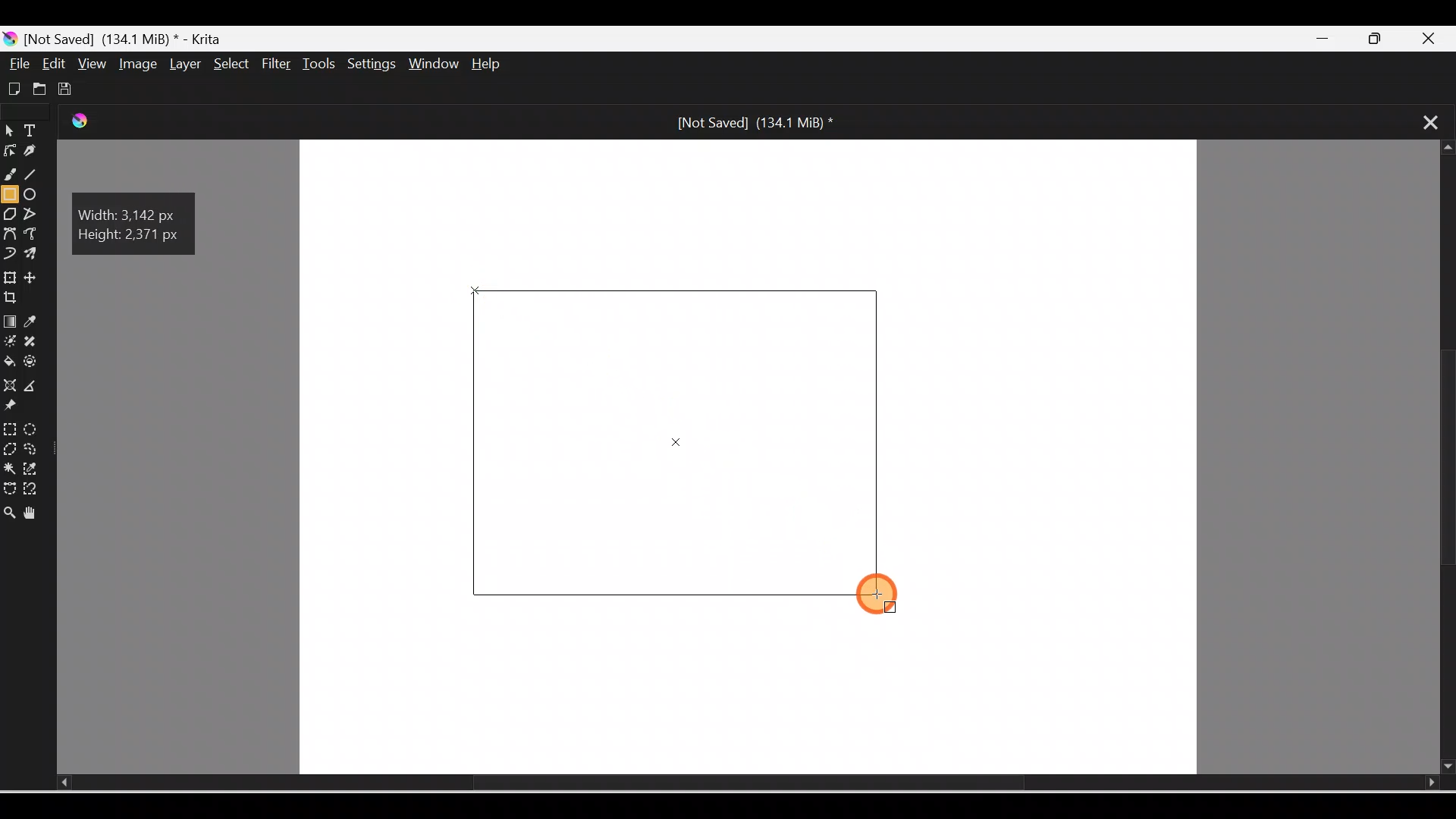 The width and height of the screenshot is (1456, 819). Describe the element at coordinates (33, 510) in the screenshot. I see `Pan tool` at that location.